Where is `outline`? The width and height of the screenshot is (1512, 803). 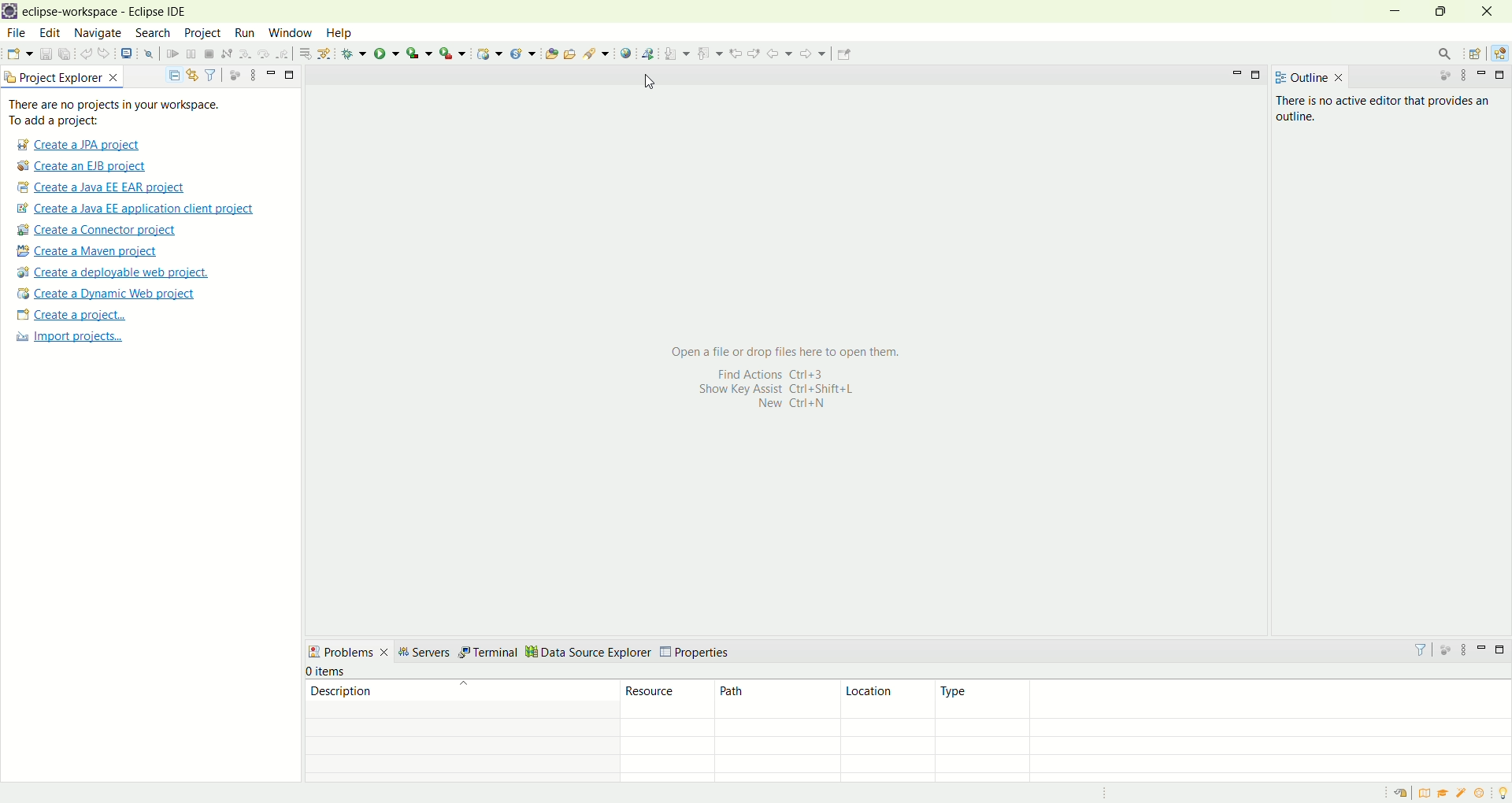 outline is located at coordinates (1309, 77).